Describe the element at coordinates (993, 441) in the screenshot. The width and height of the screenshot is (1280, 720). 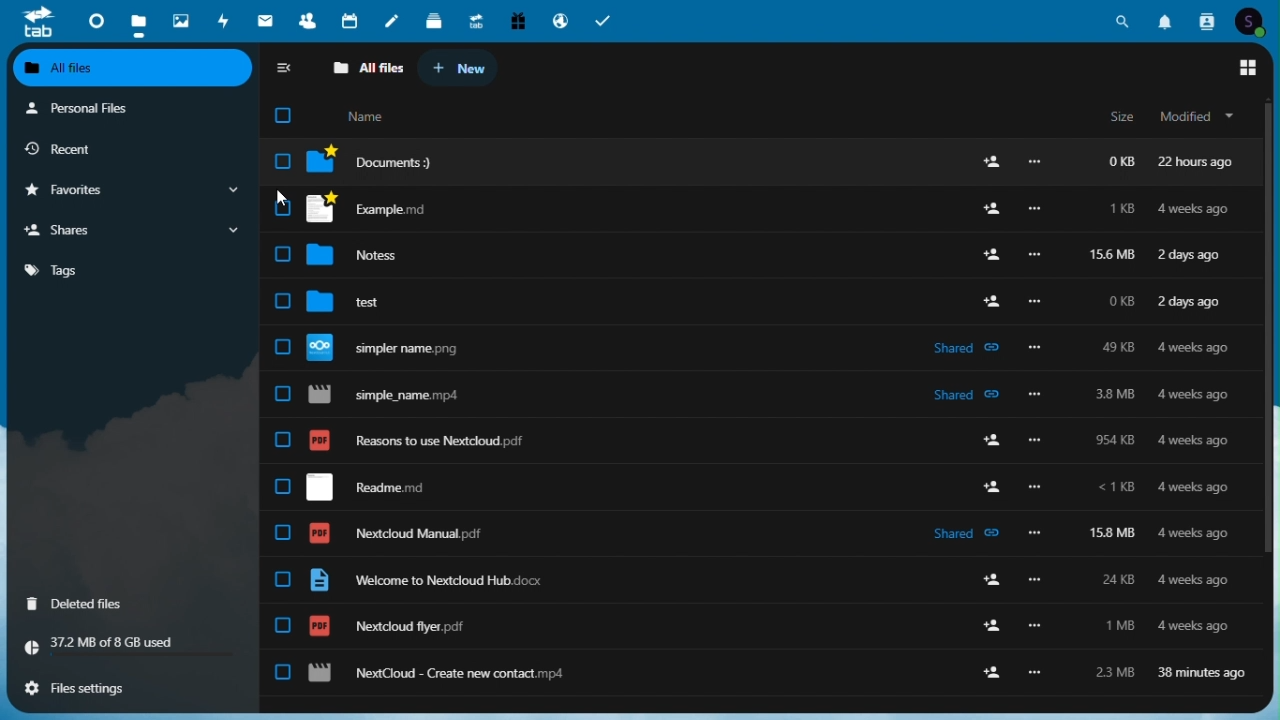
I see `add user` at that location.